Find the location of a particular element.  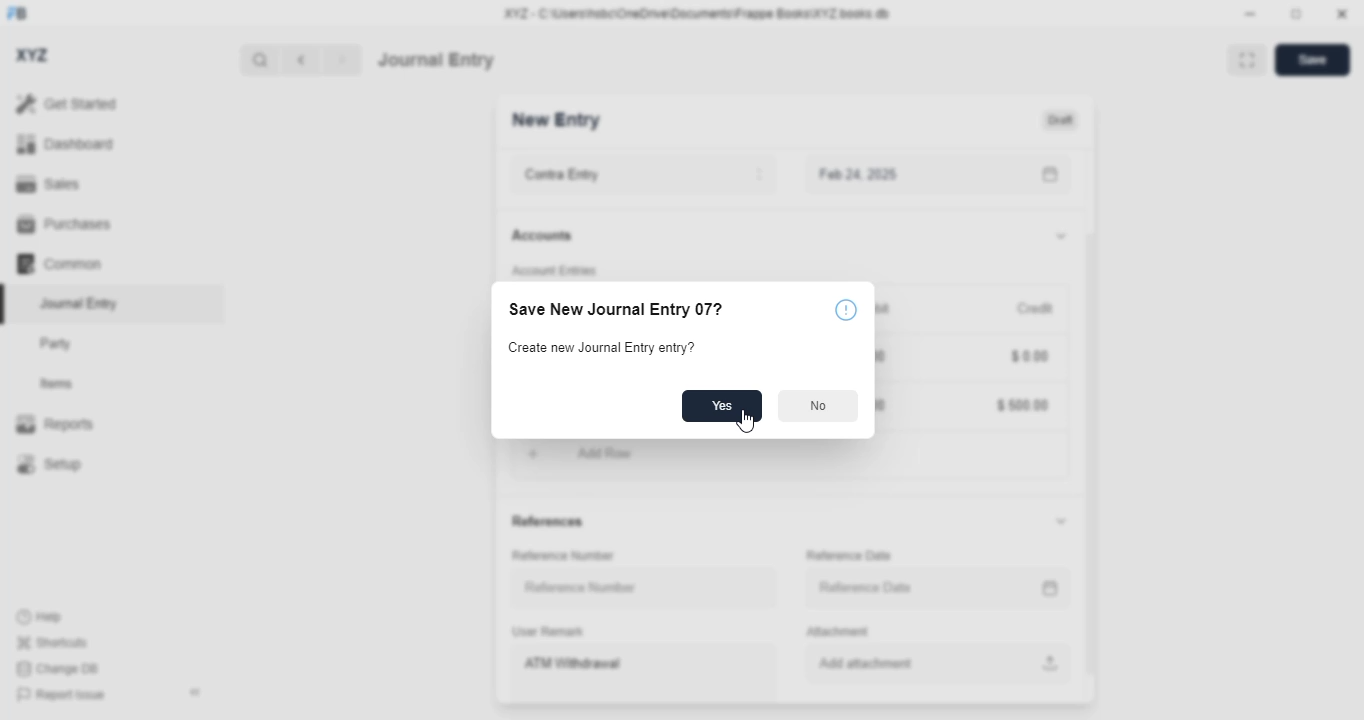

reference date is located at coordinates (897, 586).